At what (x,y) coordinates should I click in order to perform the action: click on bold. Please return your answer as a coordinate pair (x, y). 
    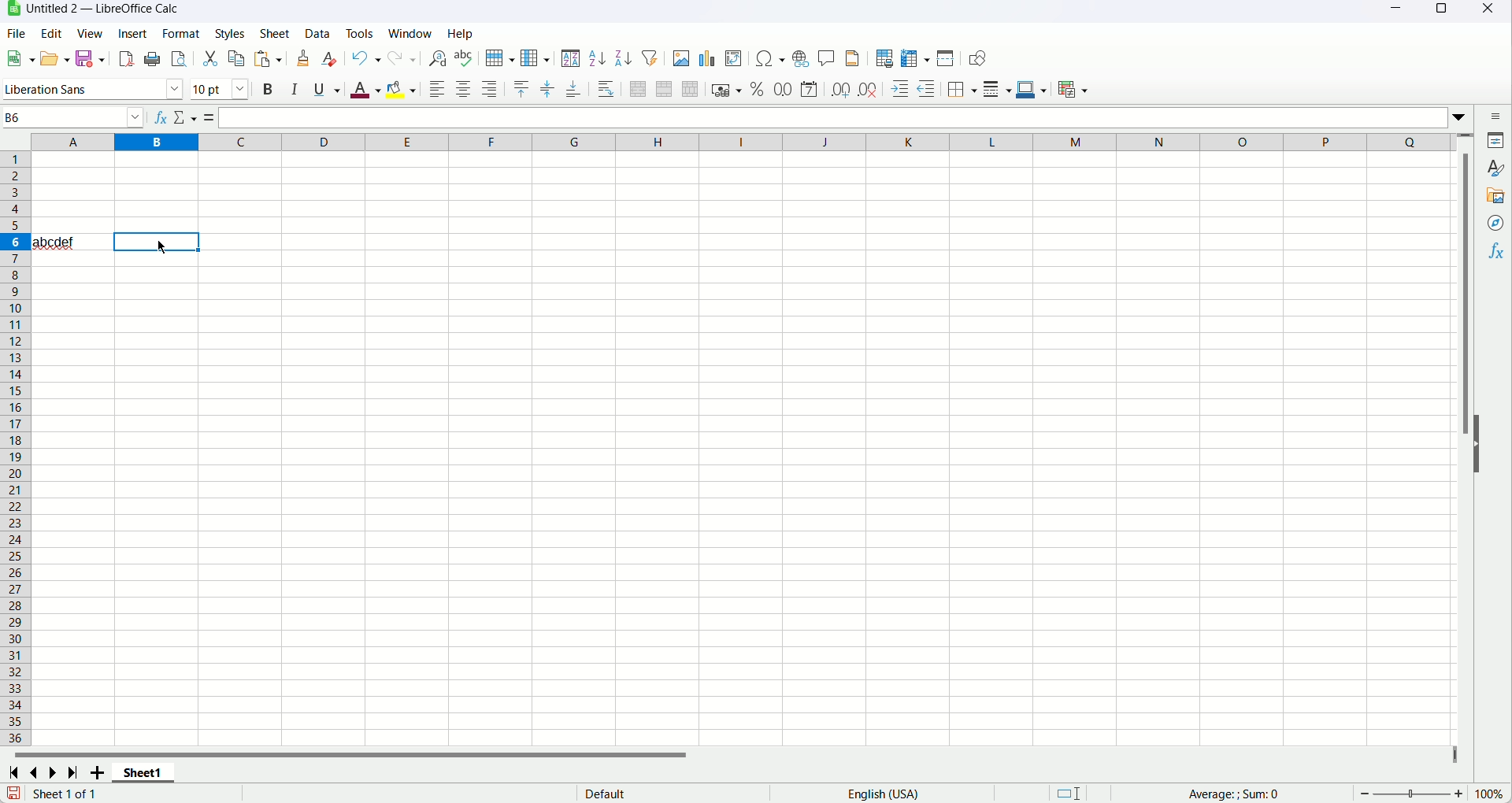
    Looking at the image, I should click on (268, 88).